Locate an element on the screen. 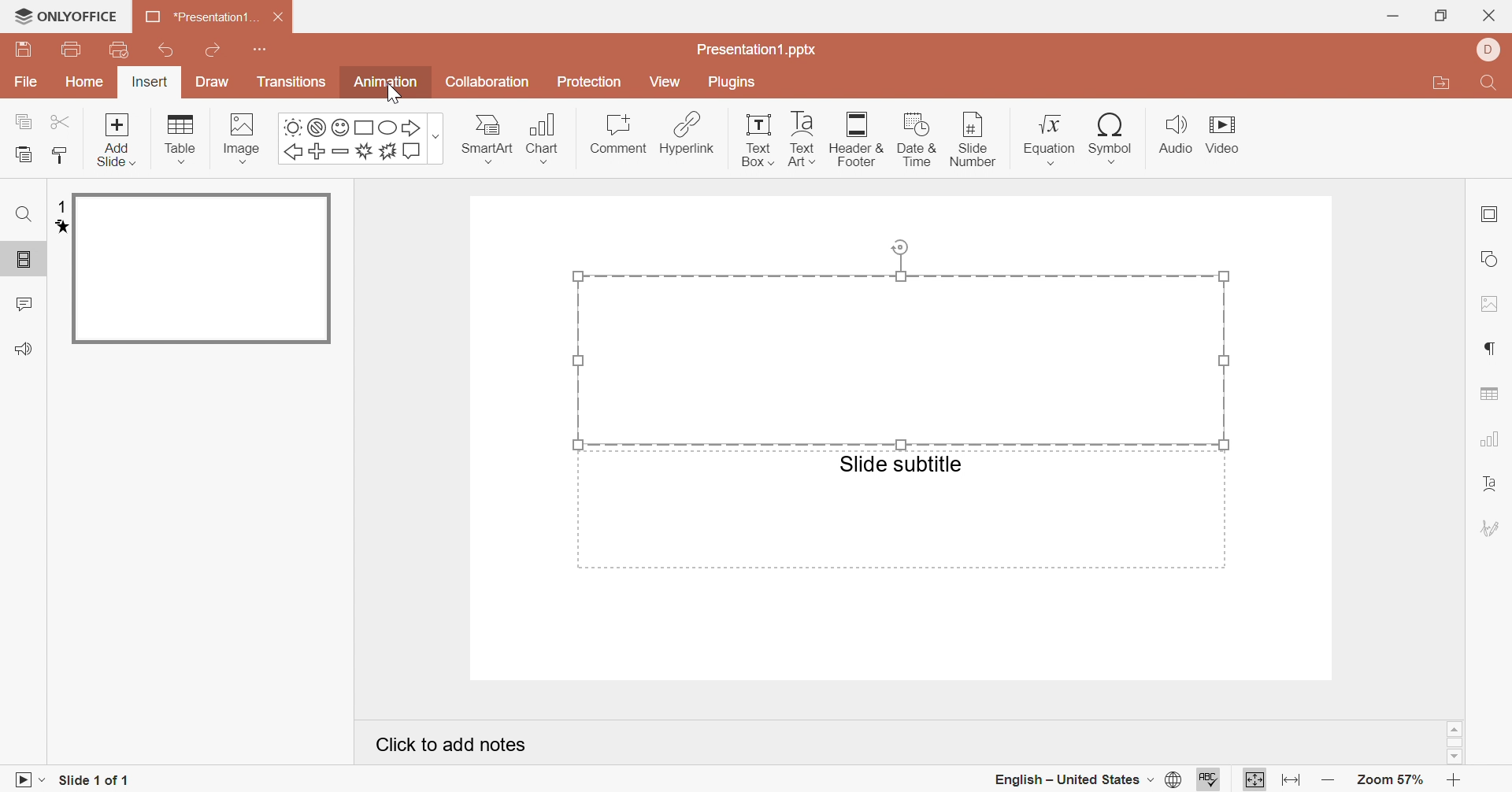  minimize is located at coordinates (1394, 17).